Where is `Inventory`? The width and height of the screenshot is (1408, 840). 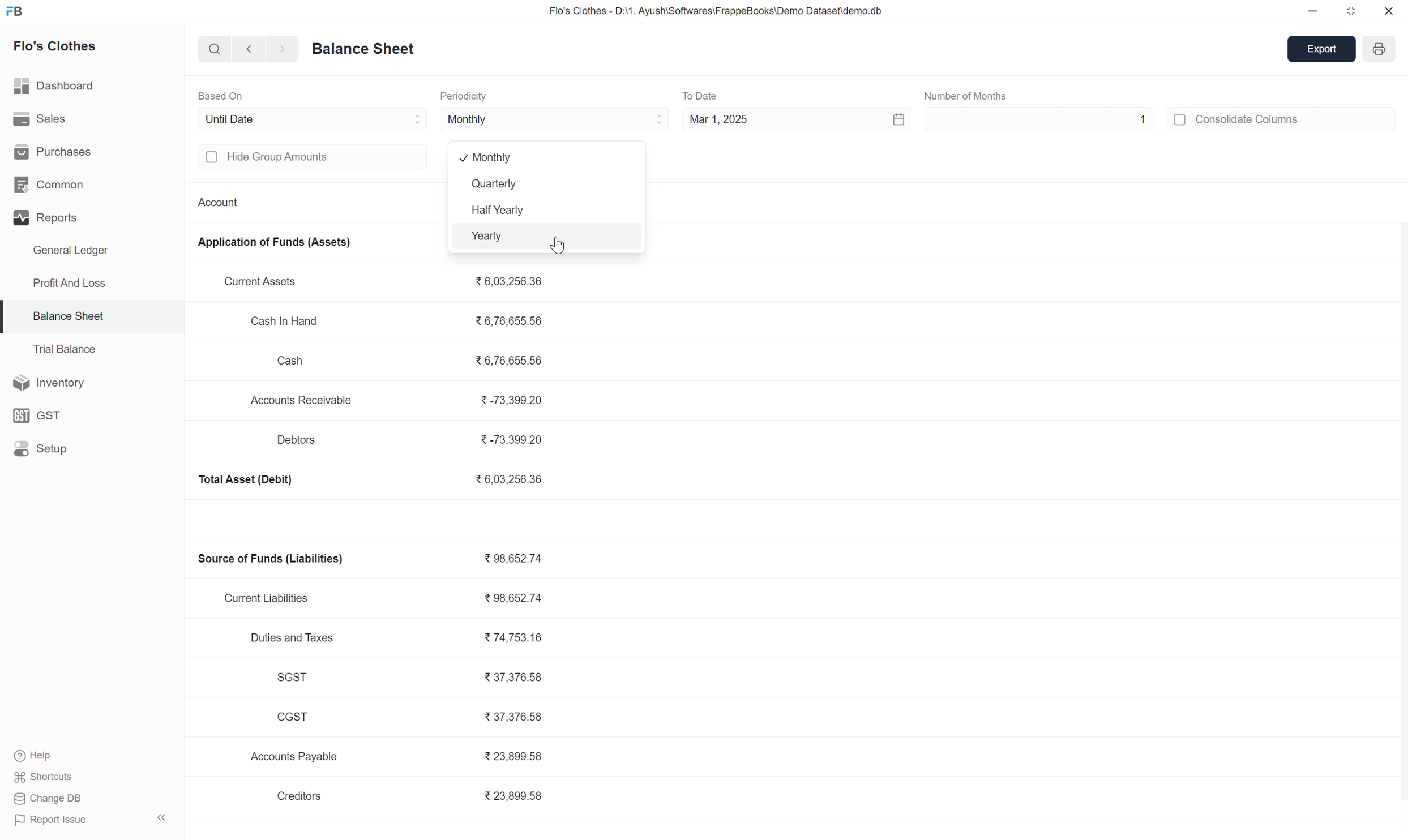 Inventory is located at coordinates (52, 383).